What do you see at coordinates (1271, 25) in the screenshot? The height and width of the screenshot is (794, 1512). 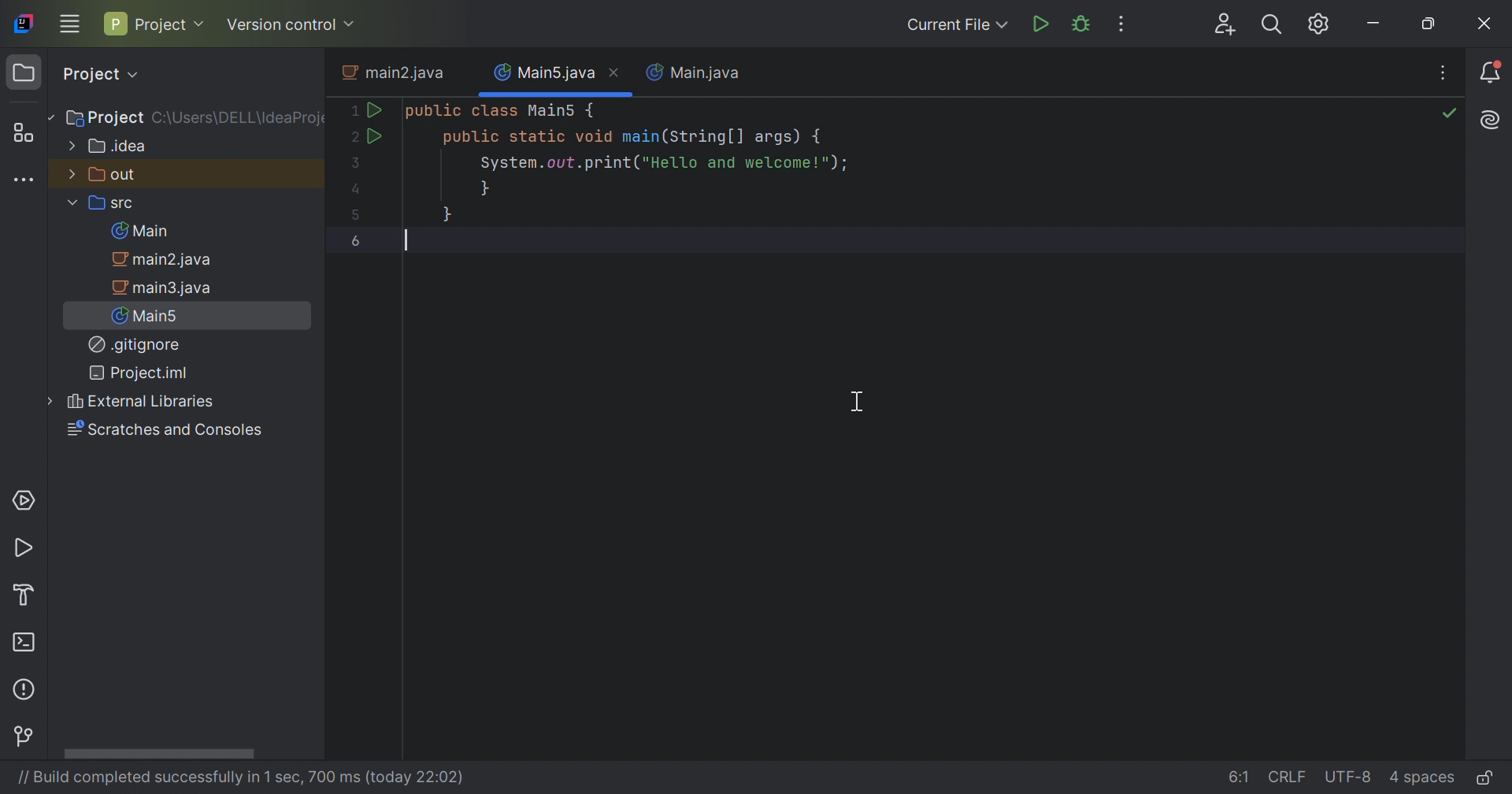 I see `Search Everywhere` at bounding box center [1271, 25].